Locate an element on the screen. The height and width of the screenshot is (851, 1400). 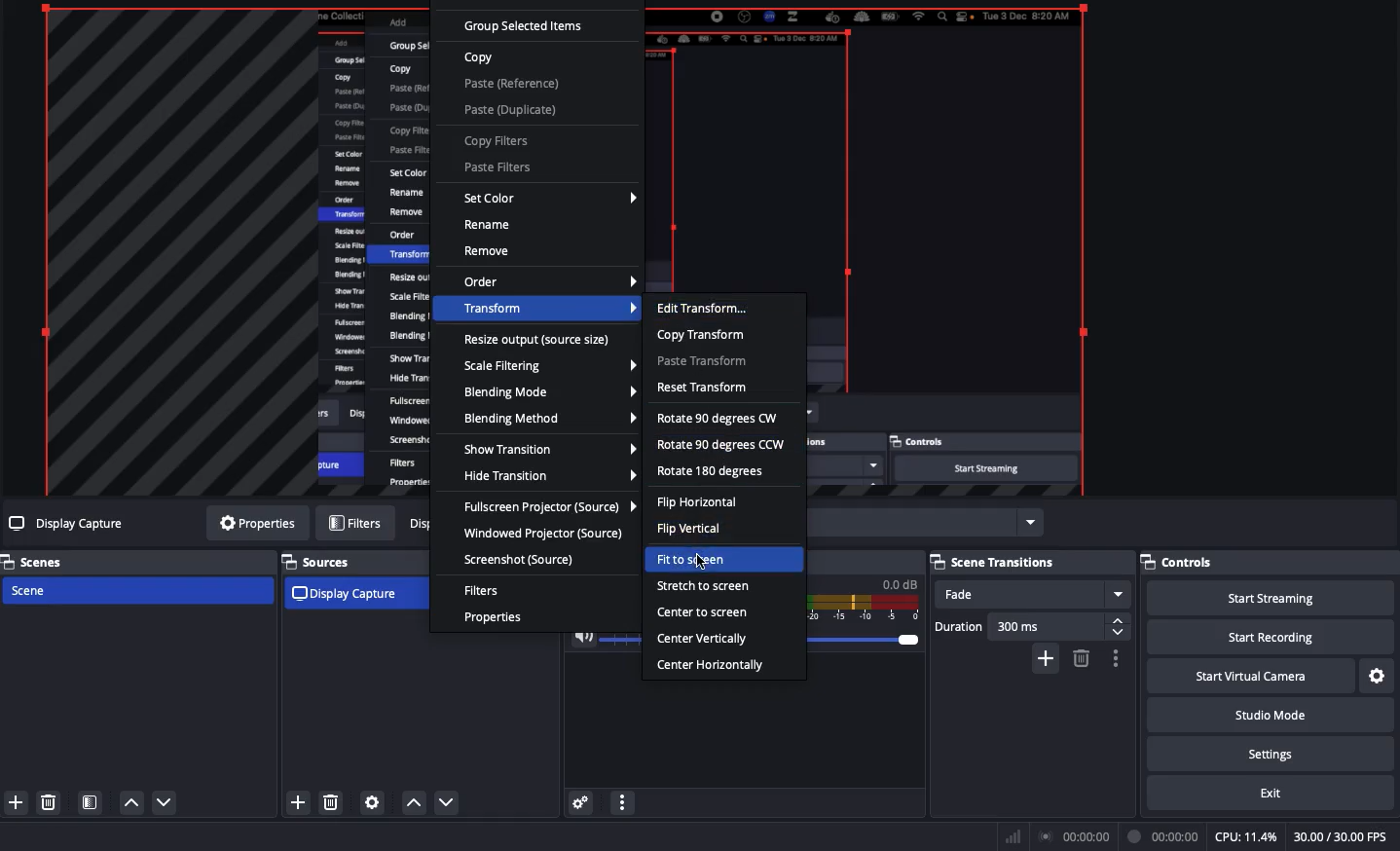
Rotate 90 degrees is located at coordinates (721, 431).